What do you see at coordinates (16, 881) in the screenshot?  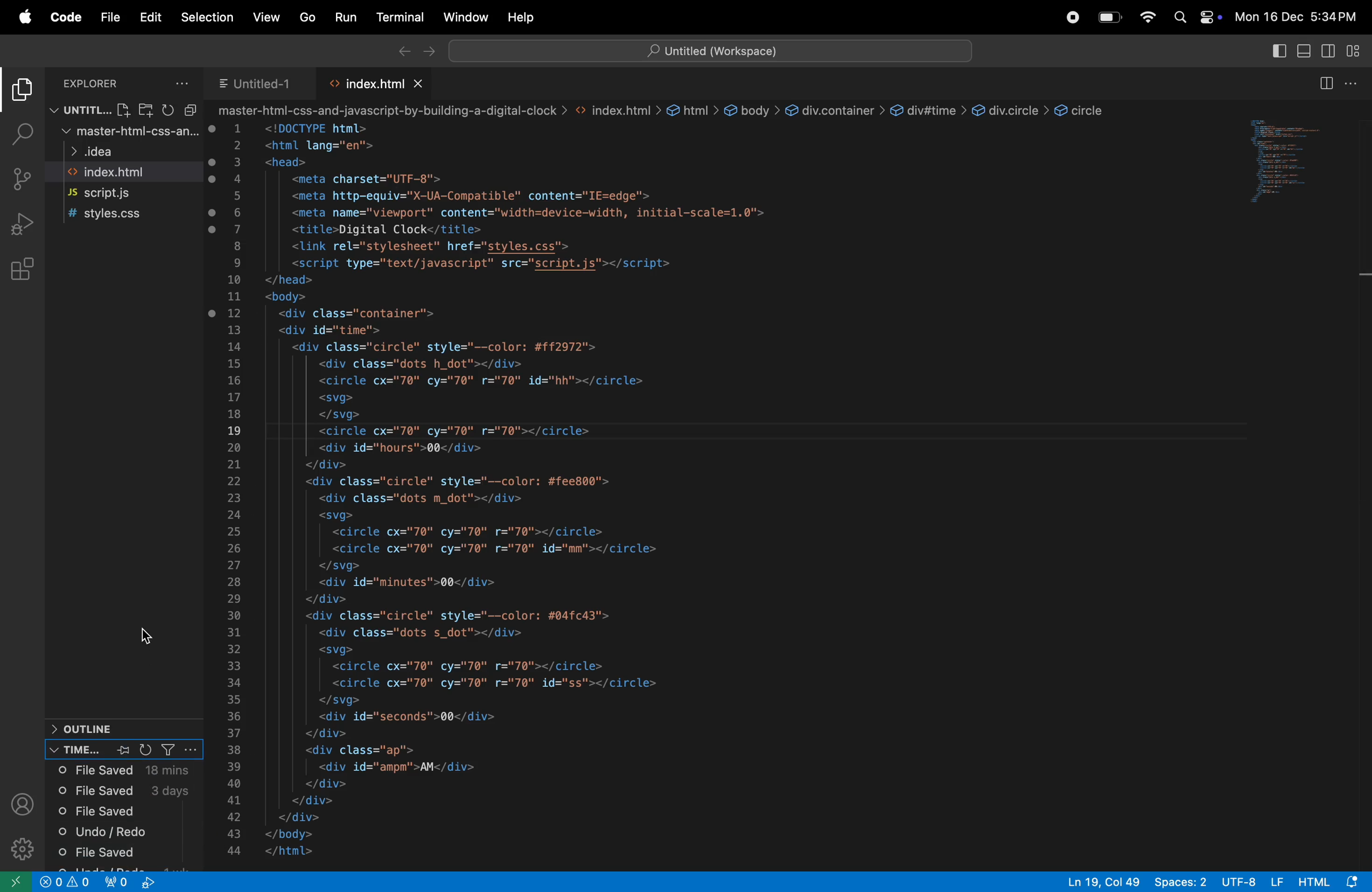 I see `open window` at bounding box center [16, 881].